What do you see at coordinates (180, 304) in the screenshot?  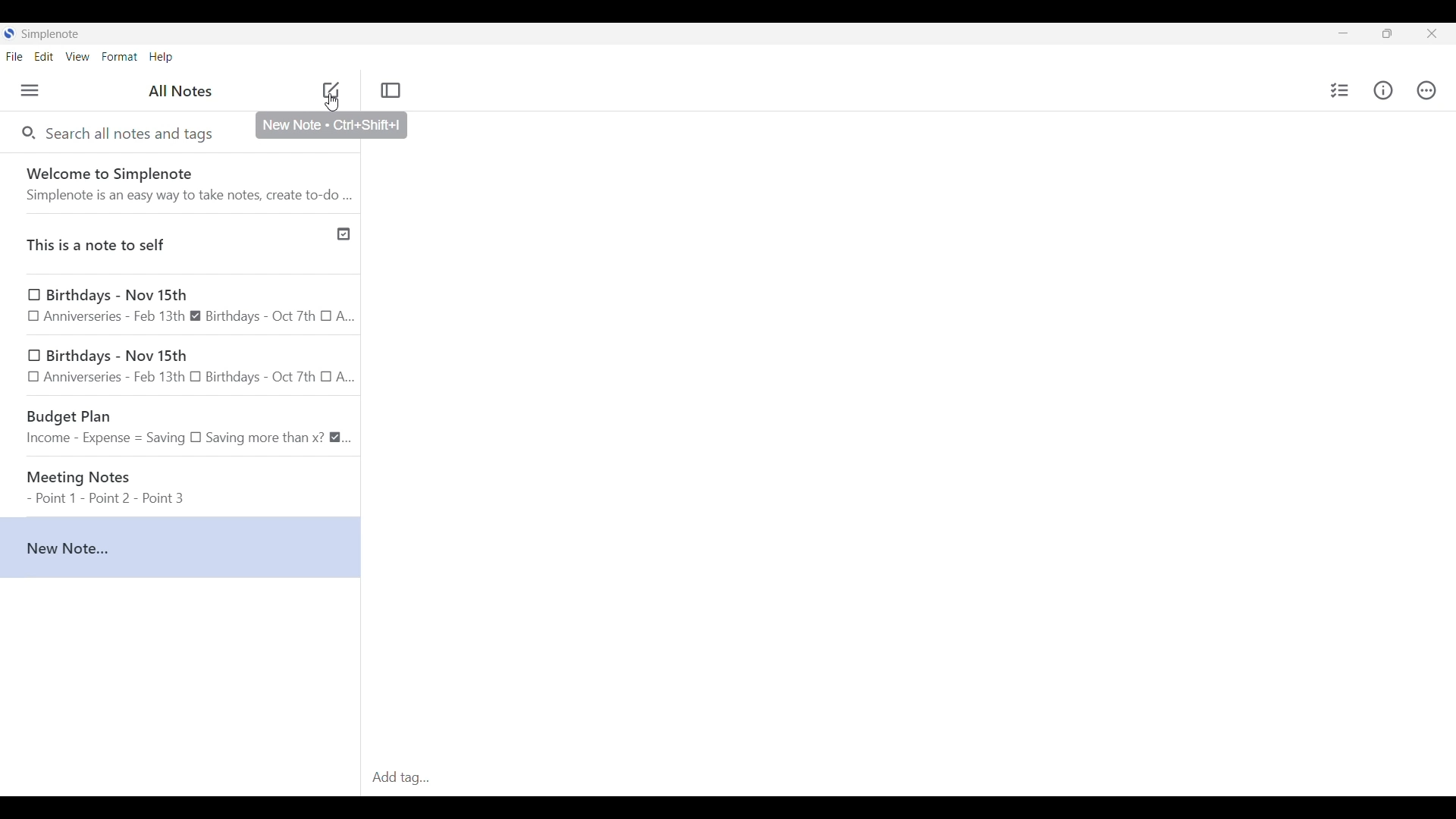 I see `Birthdays - Nov 15th` at bounding box center [180, 304].